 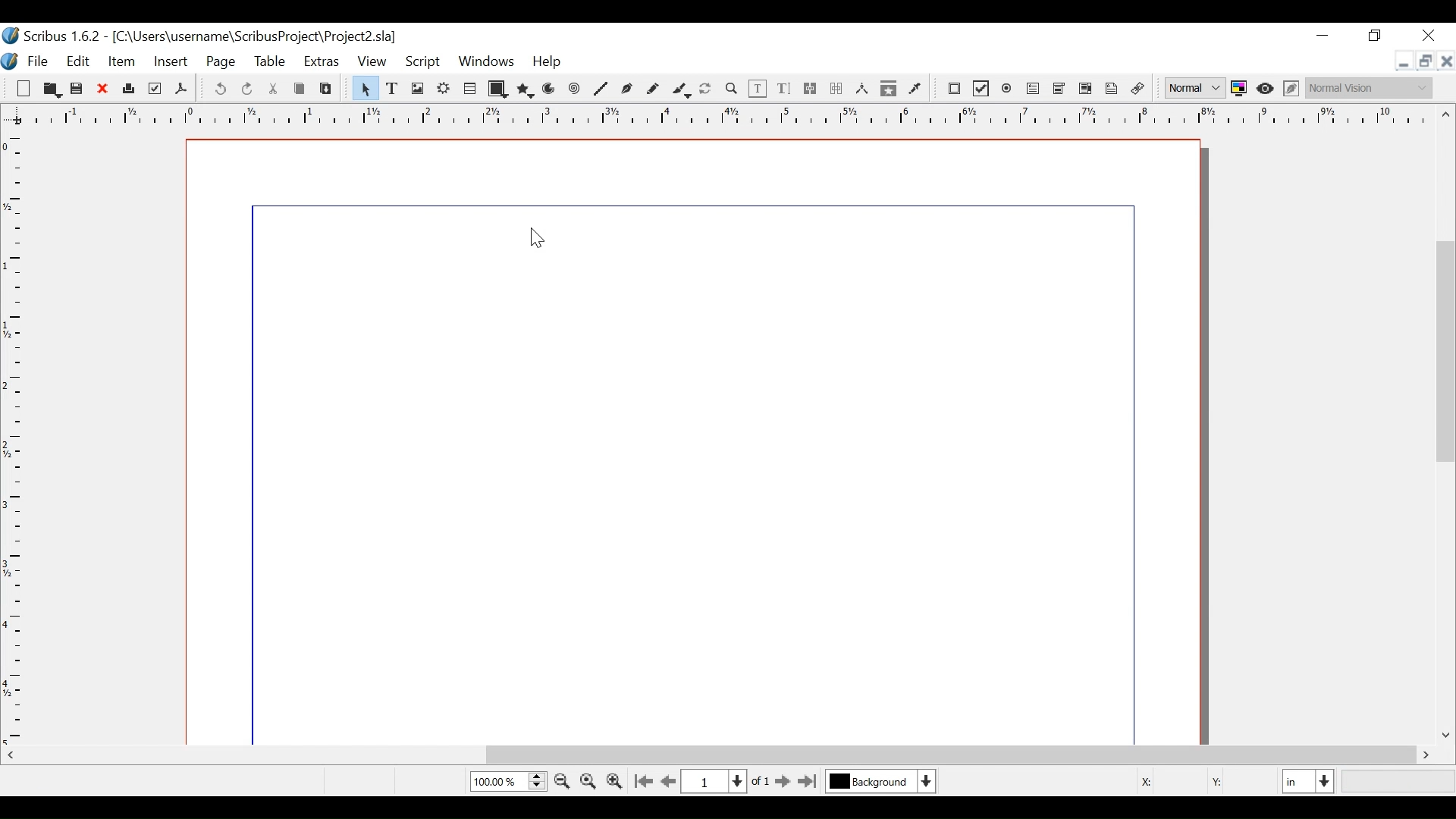 I want to click on Logo, so click(x=10, y=62).